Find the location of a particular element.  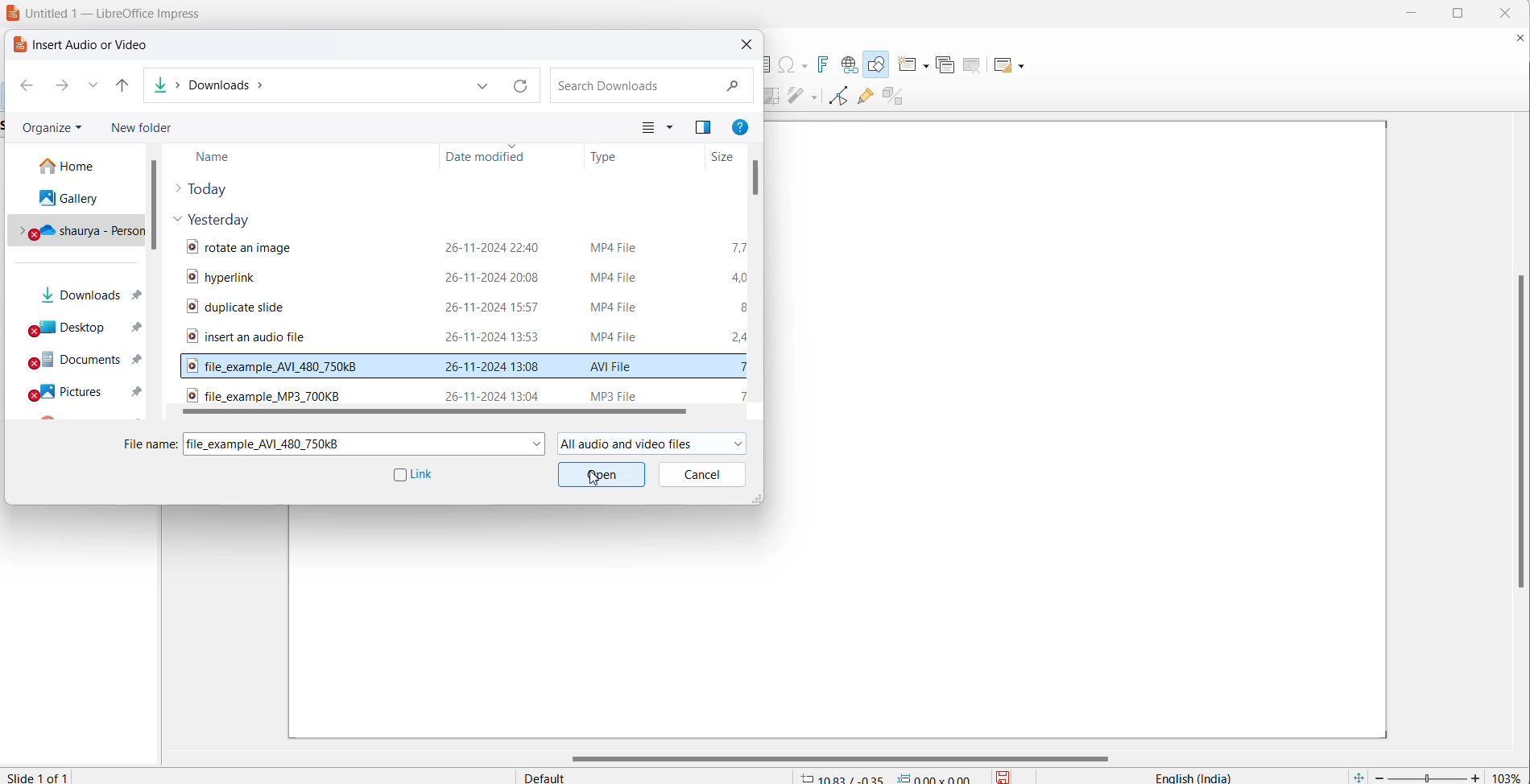

horizontal scroll bar is located at coordinates (838, 756).